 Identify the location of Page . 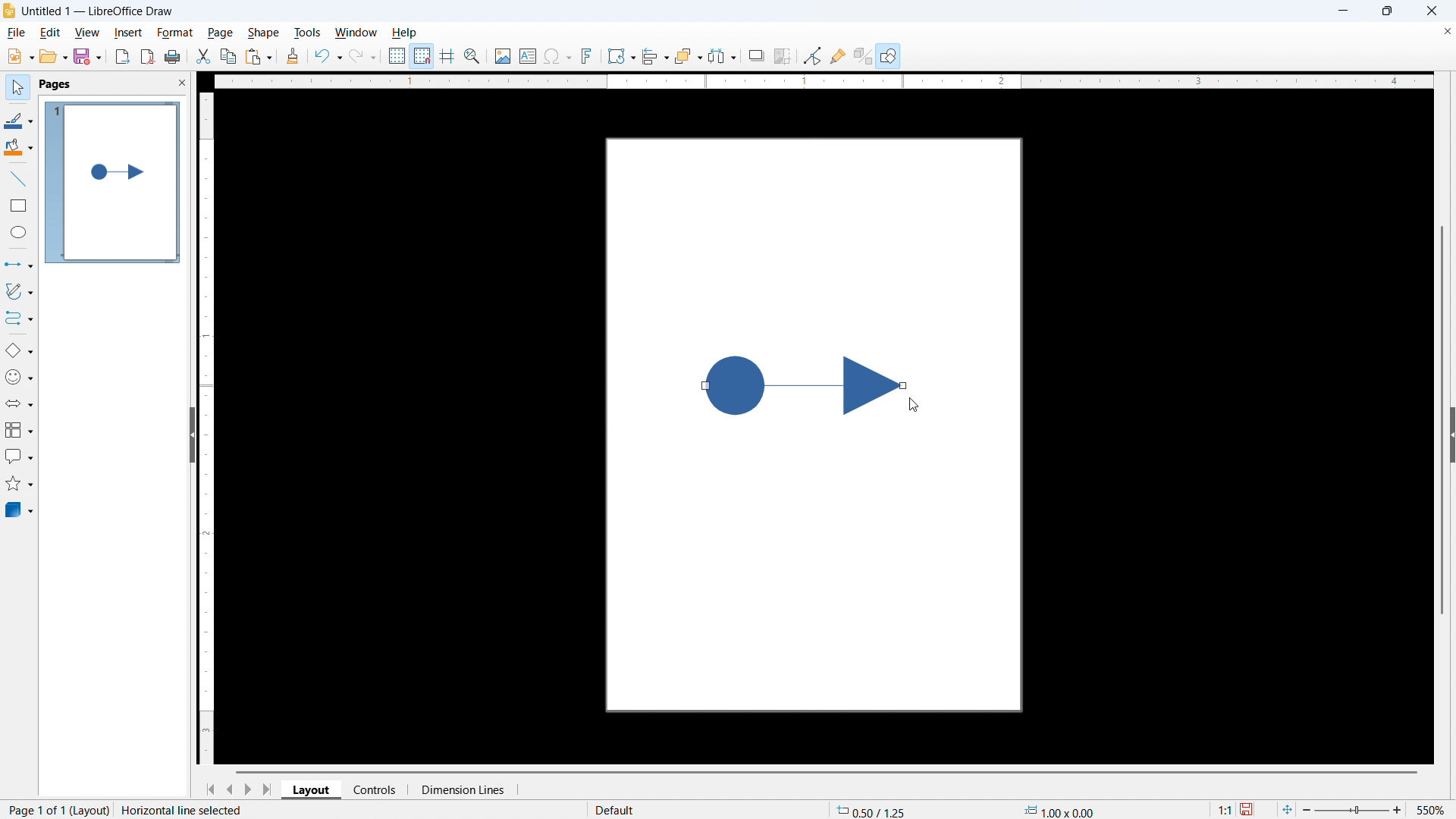
(219, 33).